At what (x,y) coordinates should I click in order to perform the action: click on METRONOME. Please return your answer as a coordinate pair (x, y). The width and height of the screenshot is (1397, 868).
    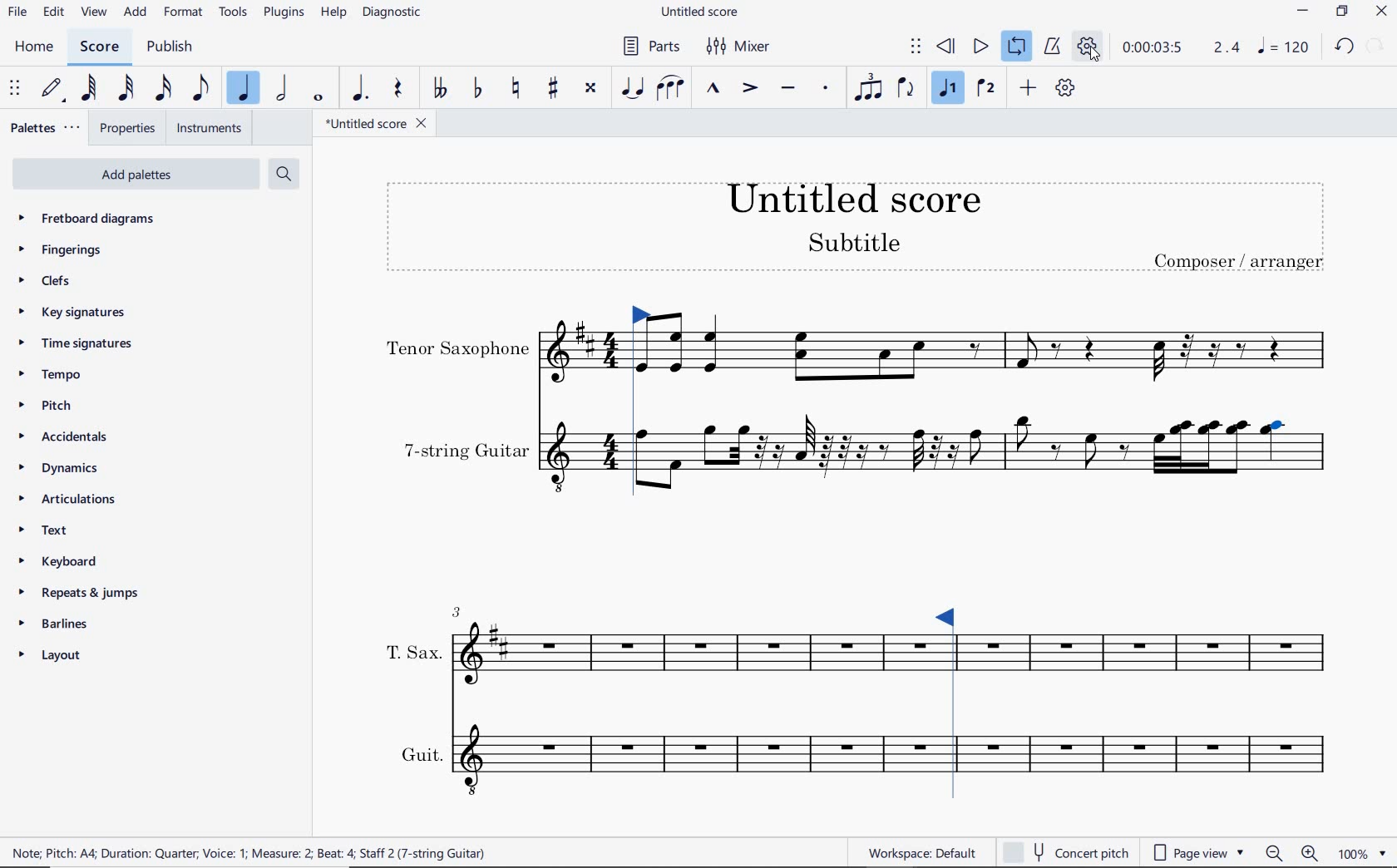
    Looking at the image, I should click on (1052, 45).